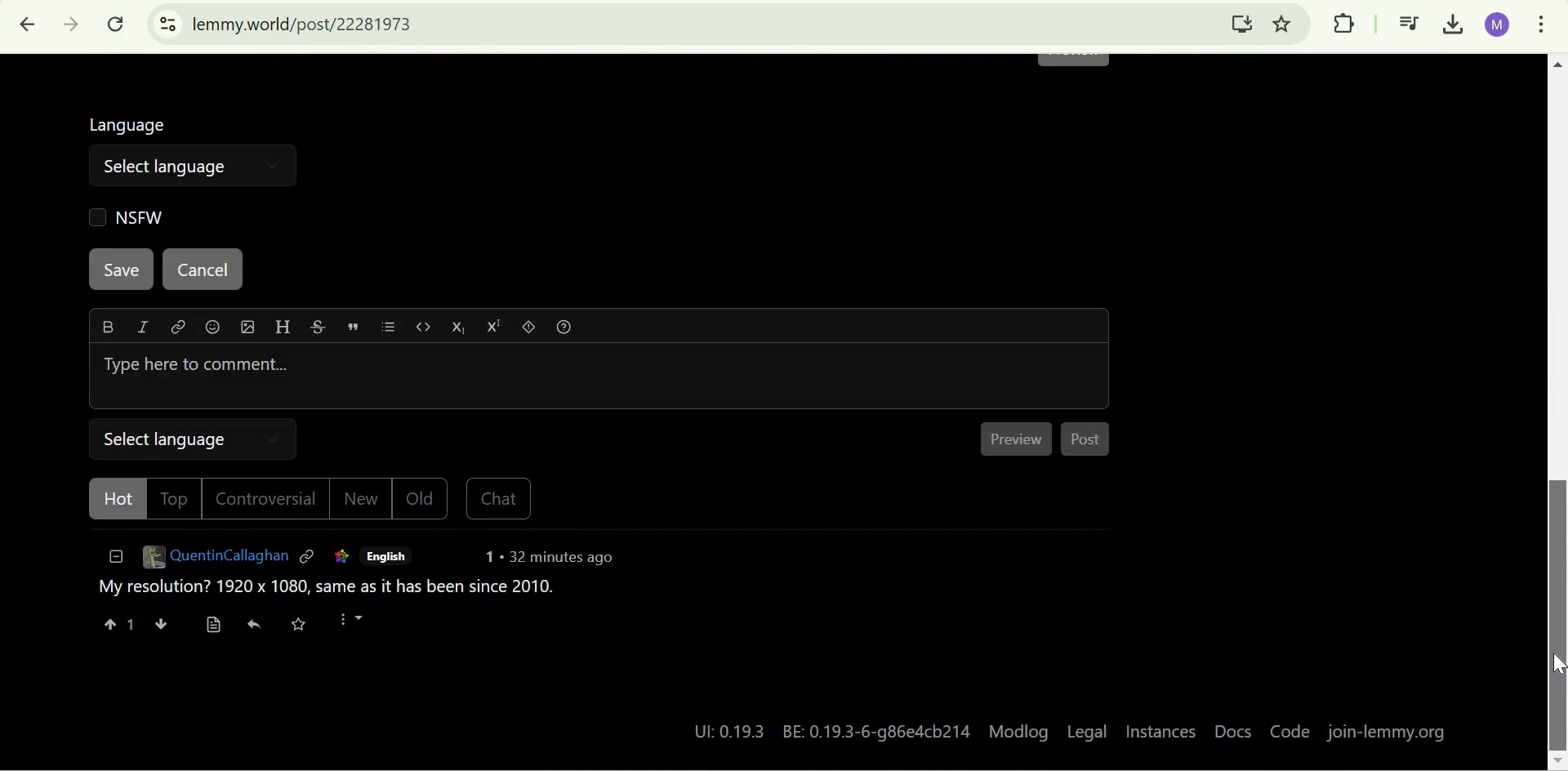 This screenshot has height=771, width=1568. What do you see at coordinates (532, 329) in the screenshot?
I see `spoiler` at bounding box center [532, 329].